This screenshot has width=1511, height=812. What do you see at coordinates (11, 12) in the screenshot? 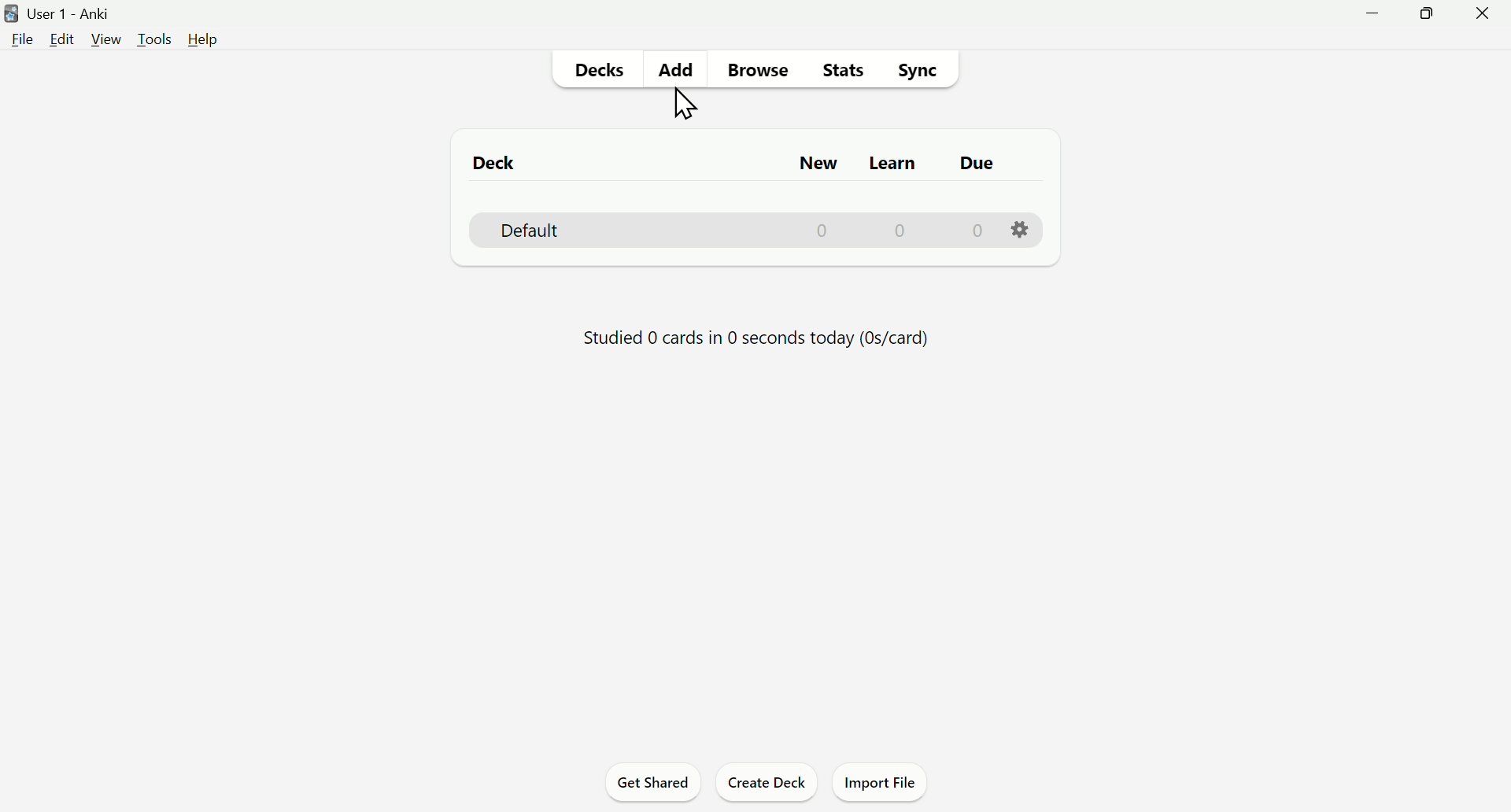
I see `logo` at bounding box center [11, 12].